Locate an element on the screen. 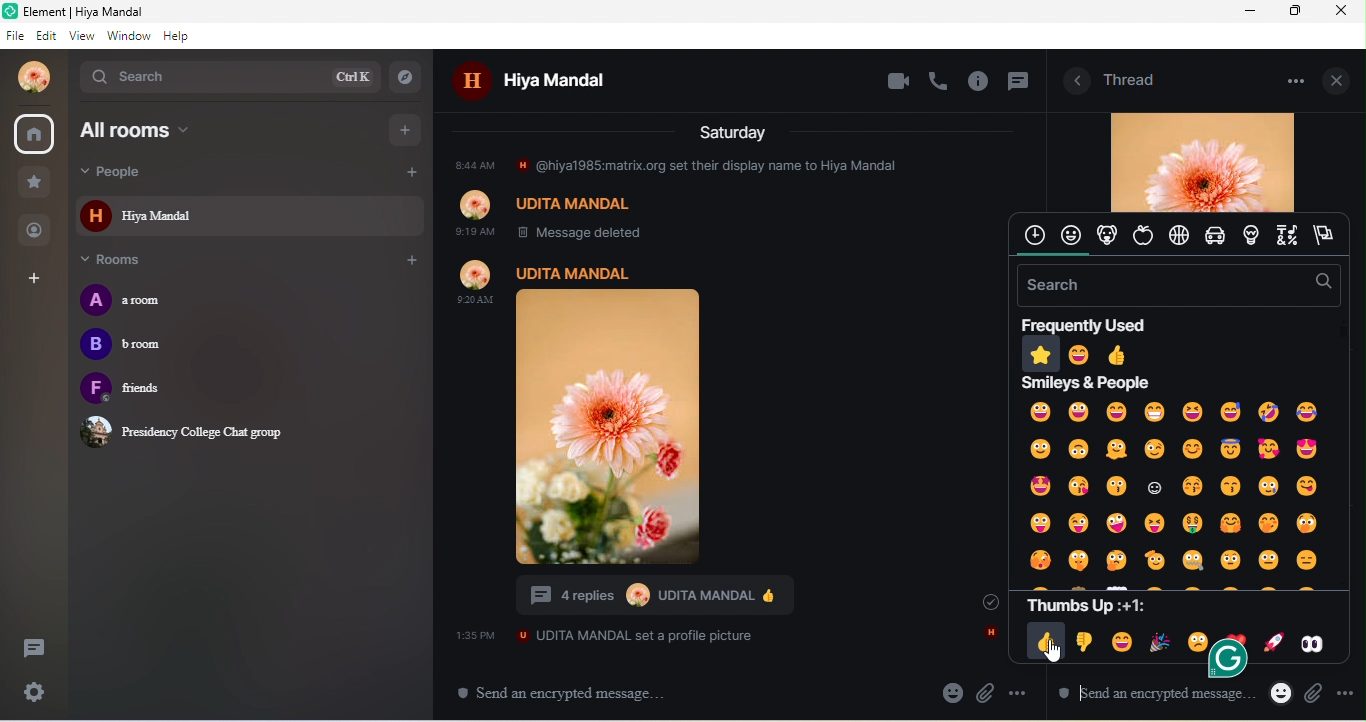 This screenshot has width=1366, height=722. scroll to most recent message is located at coordinates (981, 601).